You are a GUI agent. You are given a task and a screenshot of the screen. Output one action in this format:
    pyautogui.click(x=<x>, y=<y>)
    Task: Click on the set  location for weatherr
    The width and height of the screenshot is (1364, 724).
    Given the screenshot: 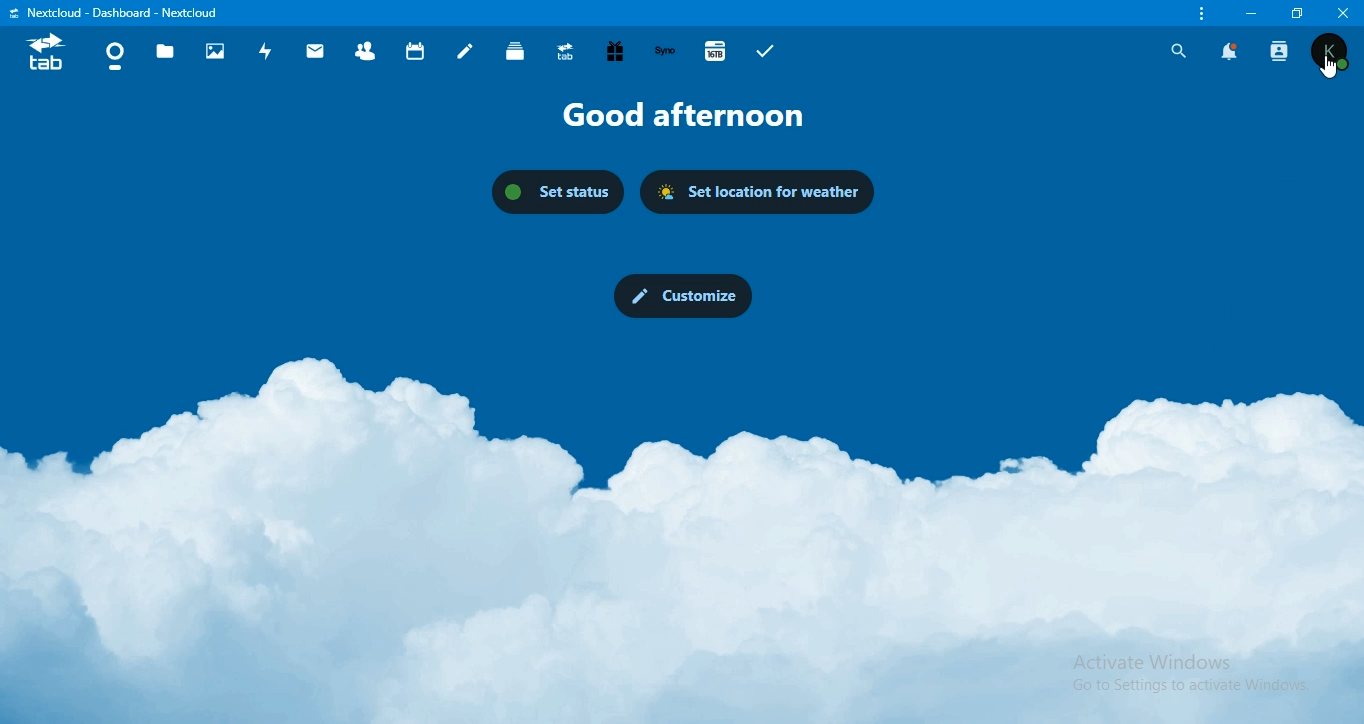 What is the action you would take?
    pyautogui.click(x=758, y=193)
    